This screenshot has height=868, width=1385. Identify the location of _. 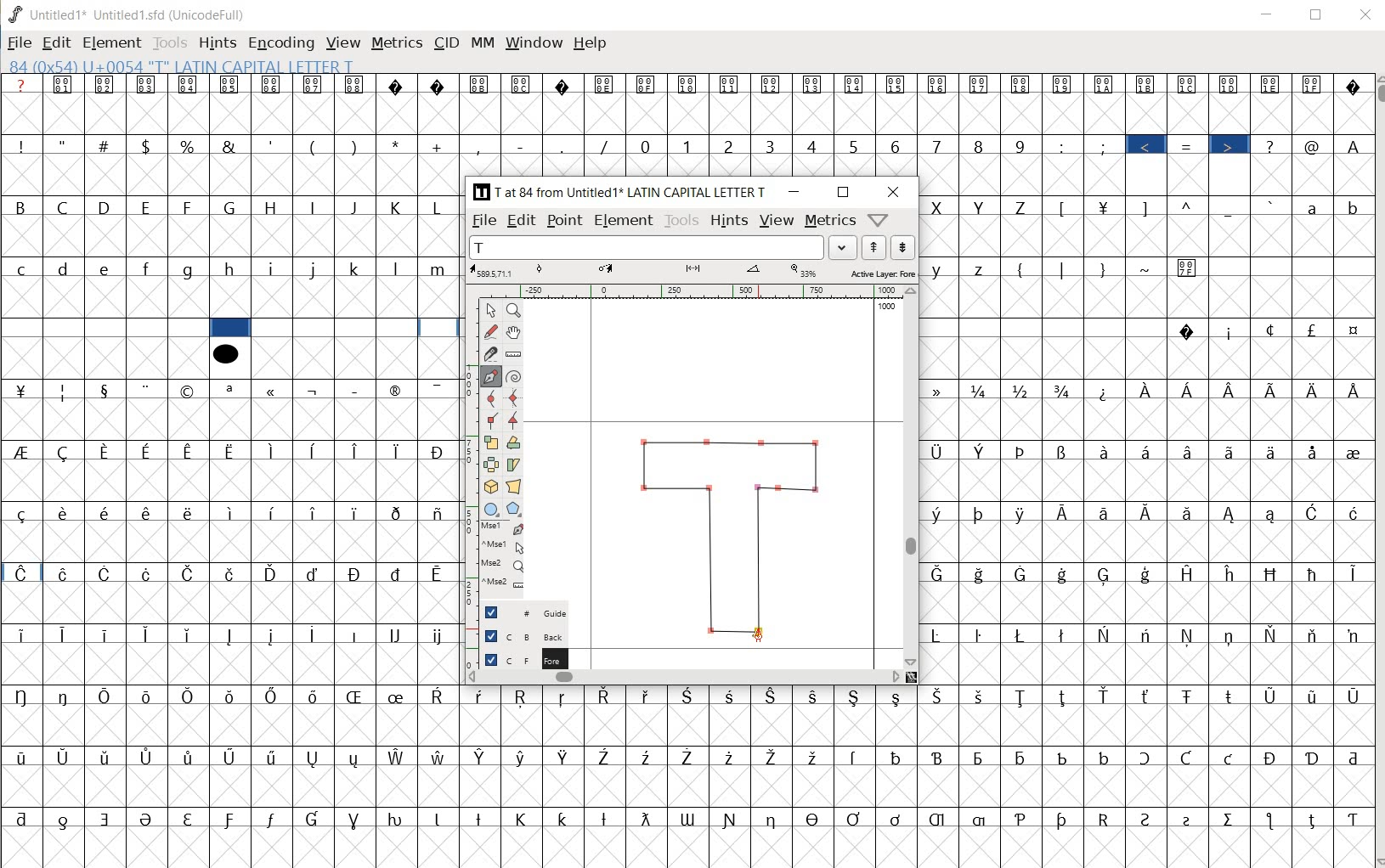
(1230, 208).